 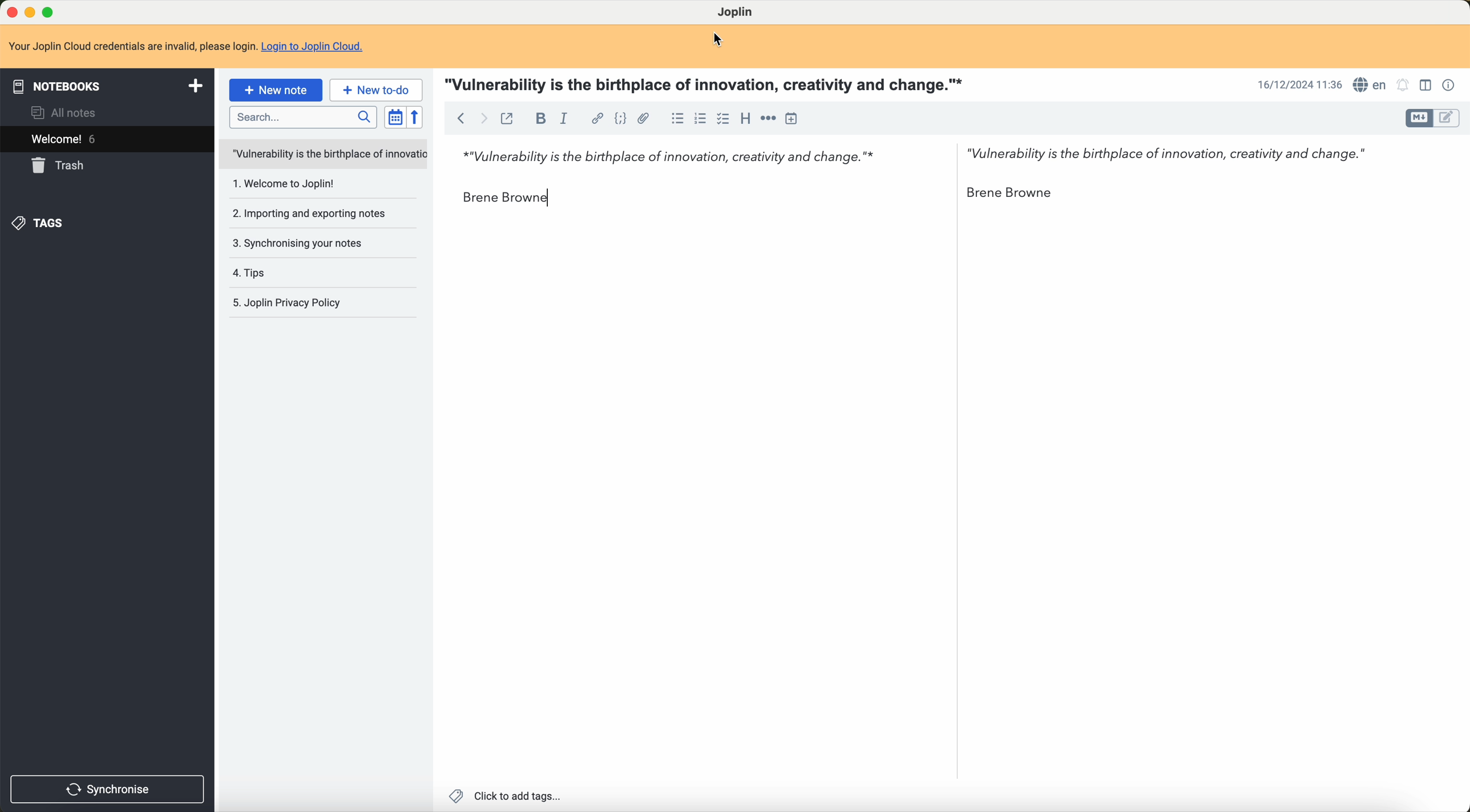 I want to click on bulleted list, so click(x=676, y=118).